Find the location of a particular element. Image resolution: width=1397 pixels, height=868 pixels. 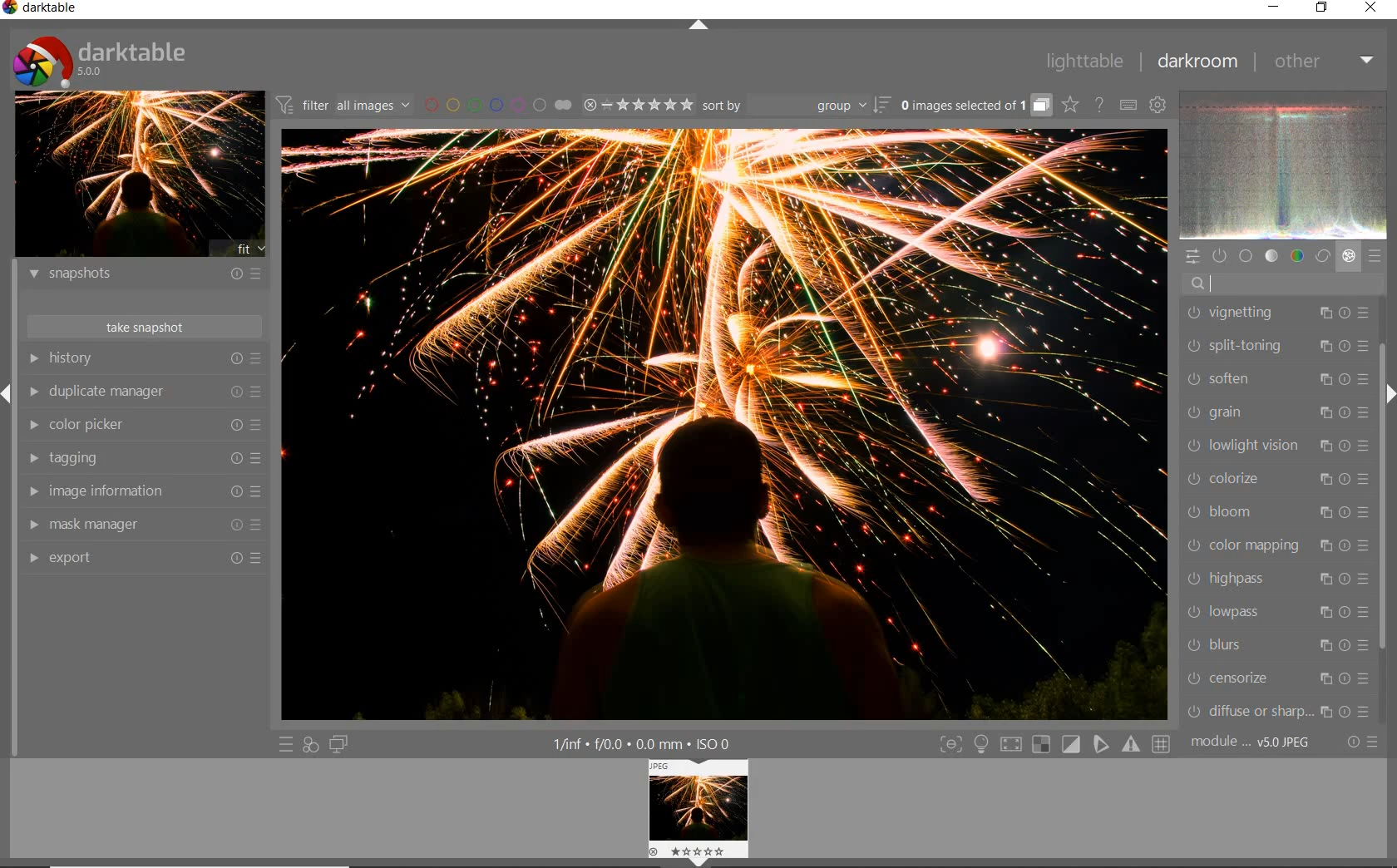

other is located at coordinates (1325, 62).